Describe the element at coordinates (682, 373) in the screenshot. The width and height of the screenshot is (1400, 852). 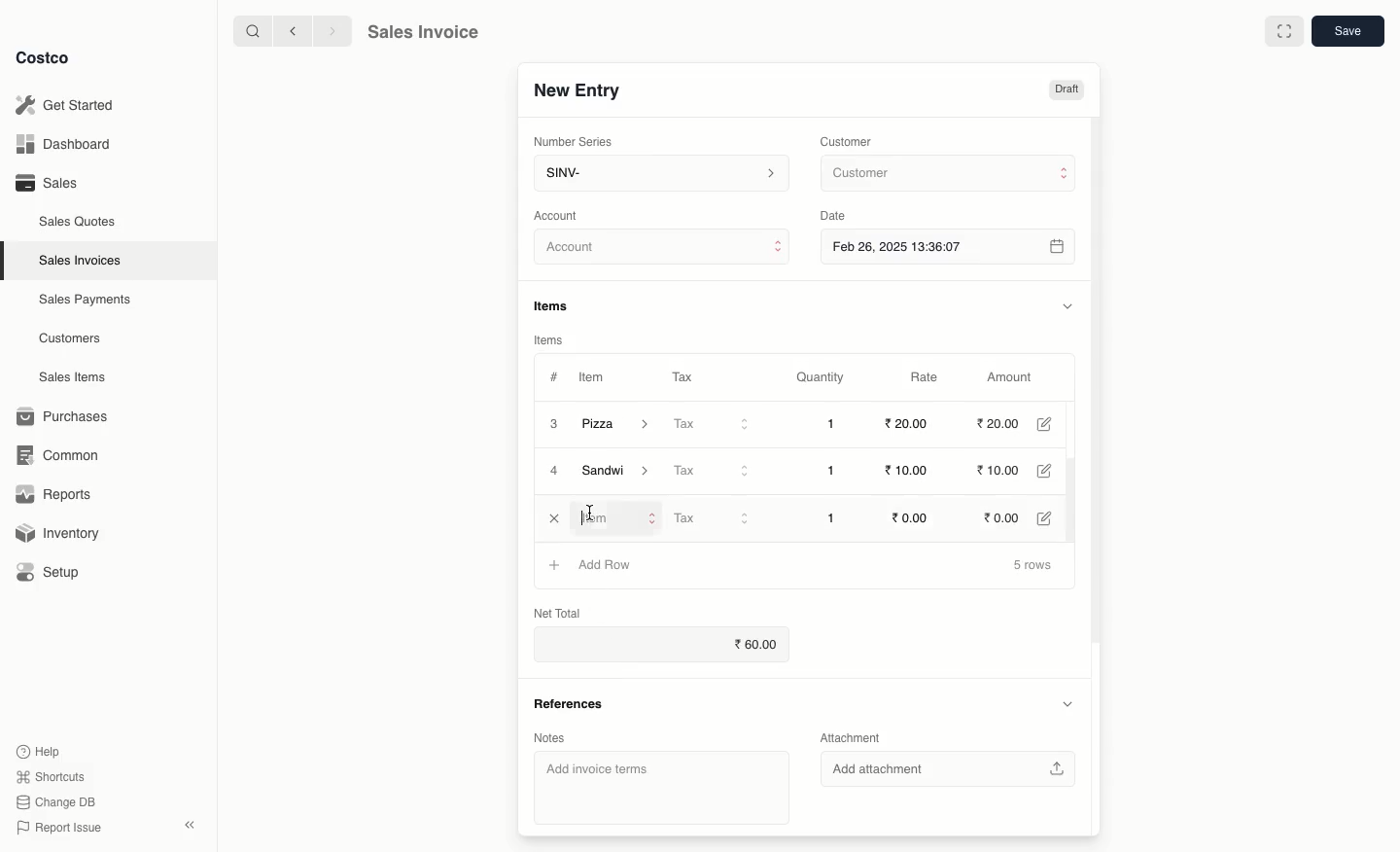
I see `Tax` at that location.